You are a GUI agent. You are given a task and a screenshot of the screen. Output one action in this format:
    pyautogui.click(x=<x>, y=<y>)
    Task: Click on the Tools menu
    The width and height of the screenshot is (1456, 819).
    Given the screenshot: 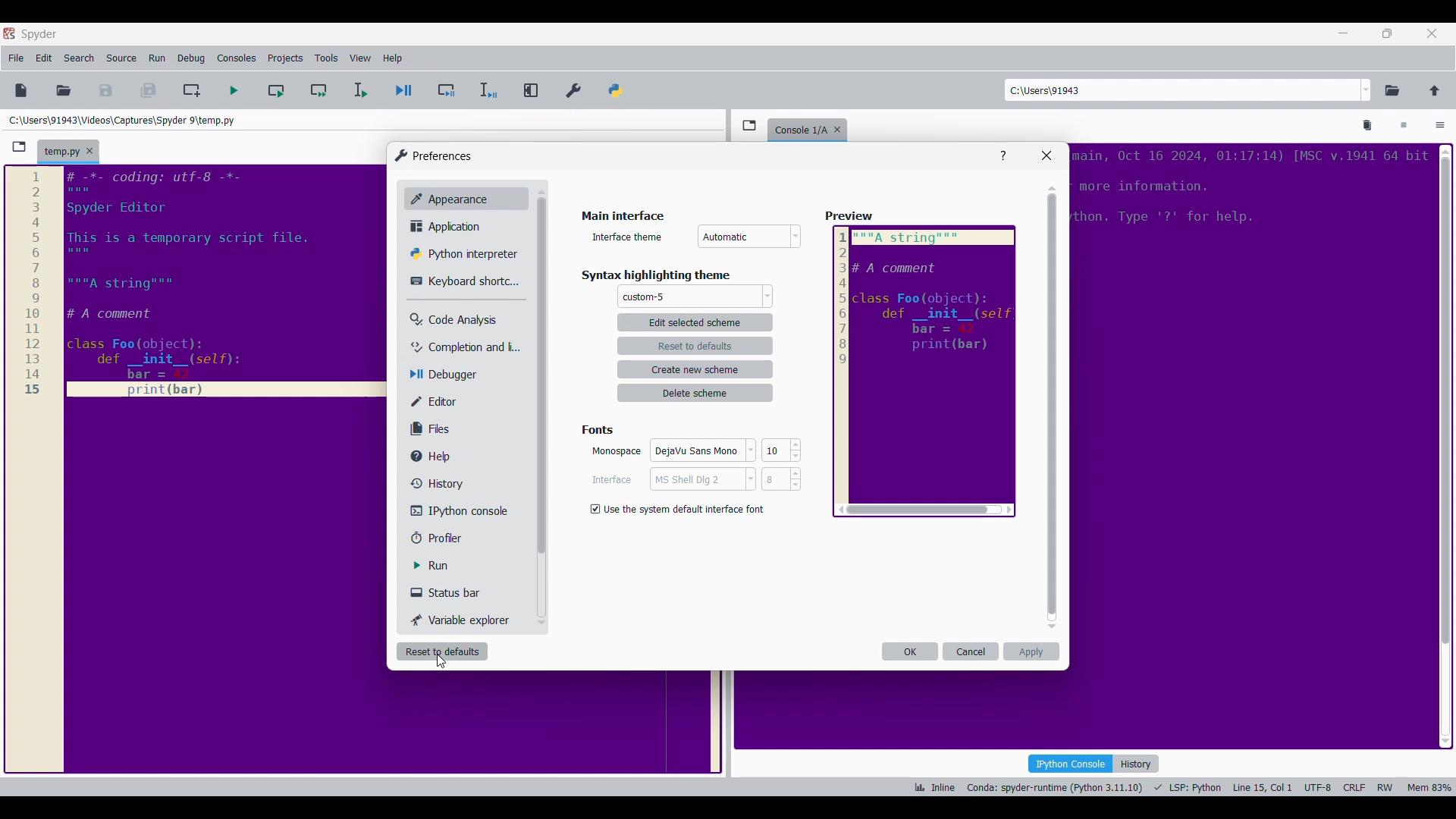 What is the action you would take?
    pyautogui.click(x=327, y=58)
    